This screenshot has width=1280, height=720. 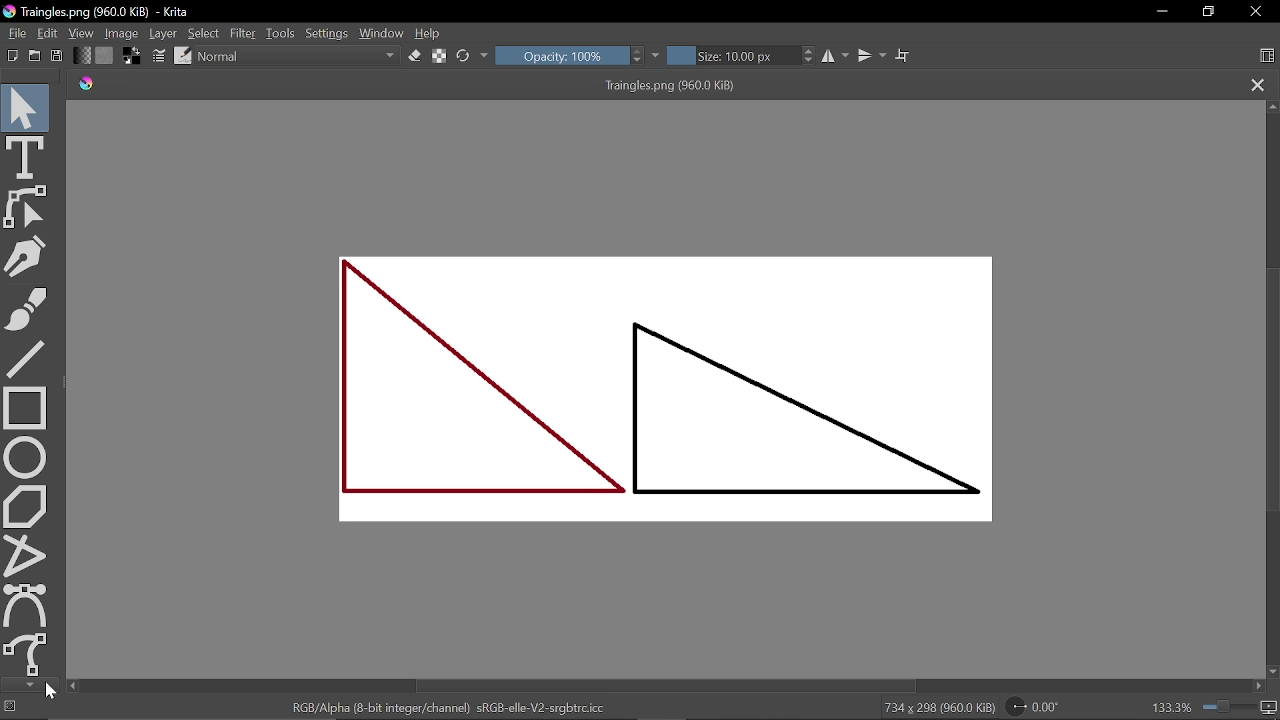 I want to click on Pixel size, so click(x=1267, y=708).